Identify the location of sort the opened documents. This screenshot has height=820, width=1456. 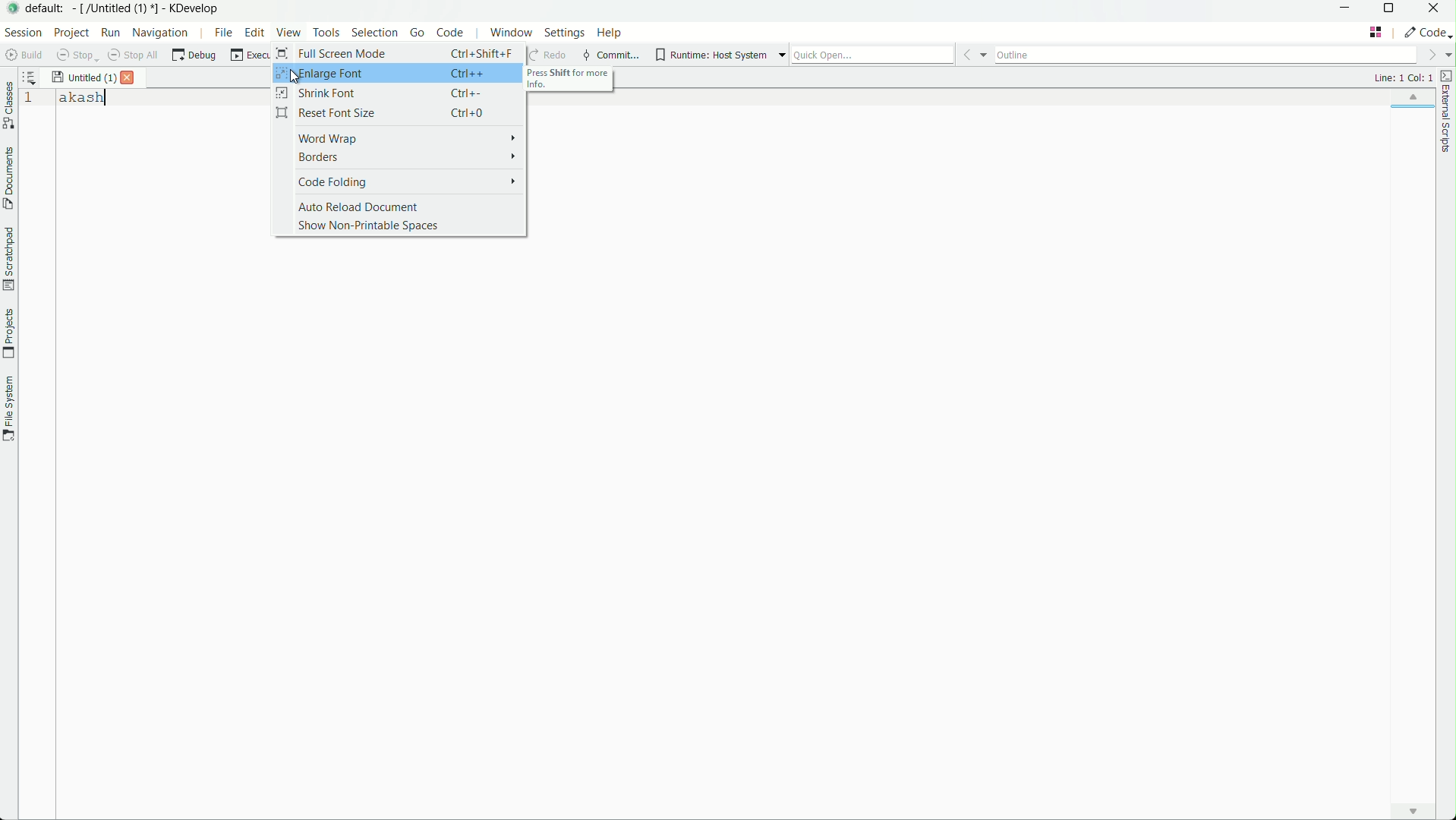
(30, 77).